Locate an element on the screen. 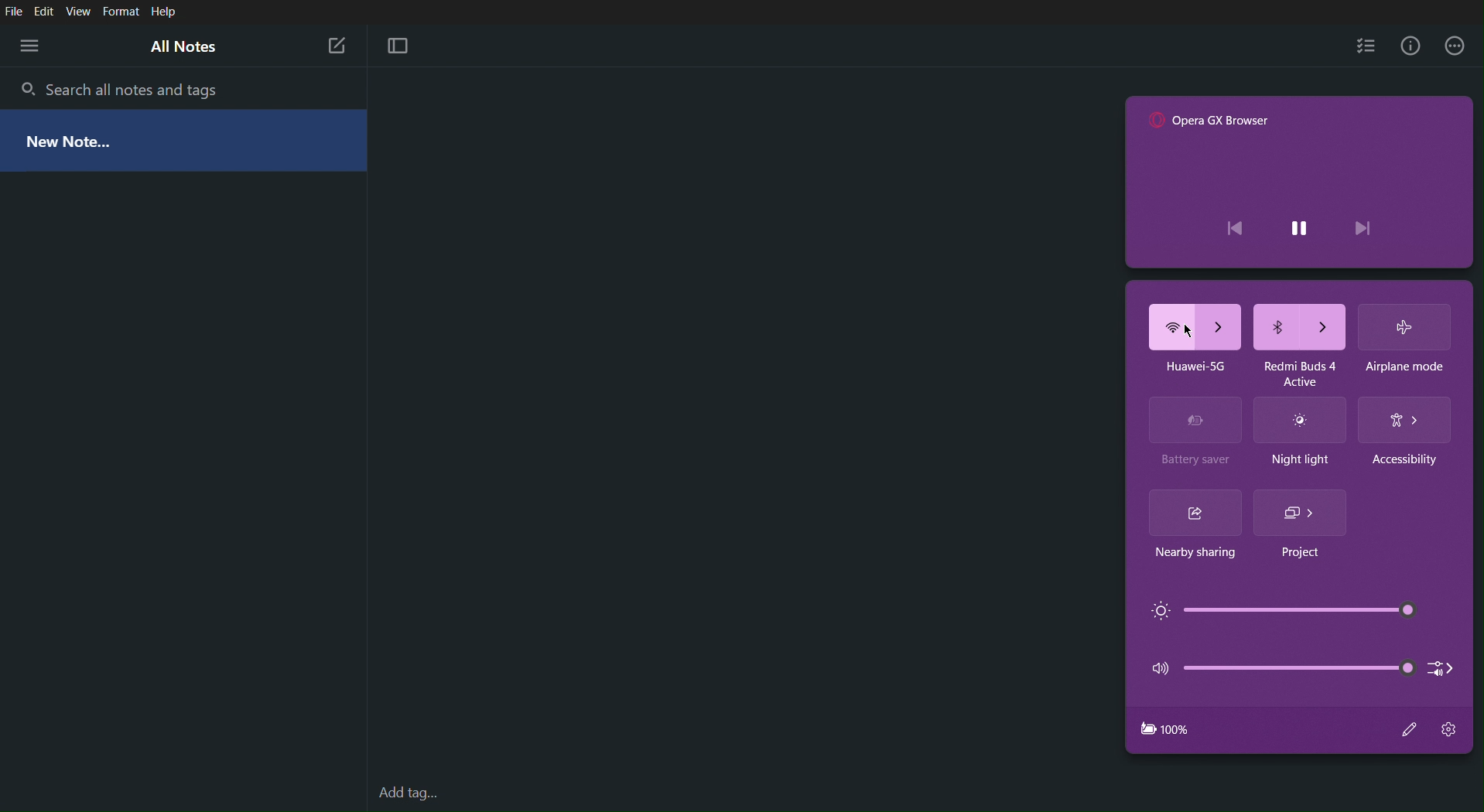 The width and height of the screenshot is (1484, 812). Settings is located at coordinates (1452, 730).